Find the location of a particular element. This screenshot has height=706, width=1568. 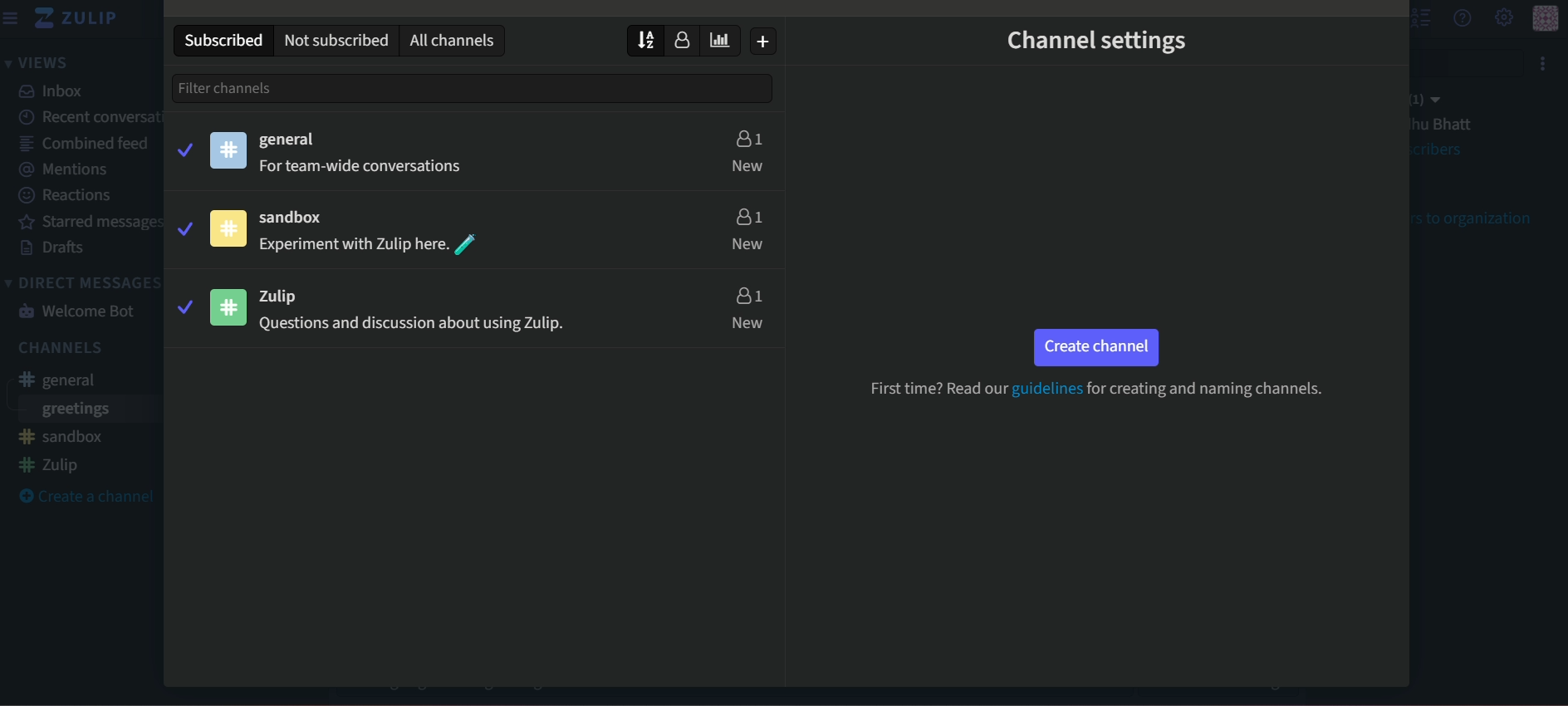

channels is located at coordinates (58, 349).